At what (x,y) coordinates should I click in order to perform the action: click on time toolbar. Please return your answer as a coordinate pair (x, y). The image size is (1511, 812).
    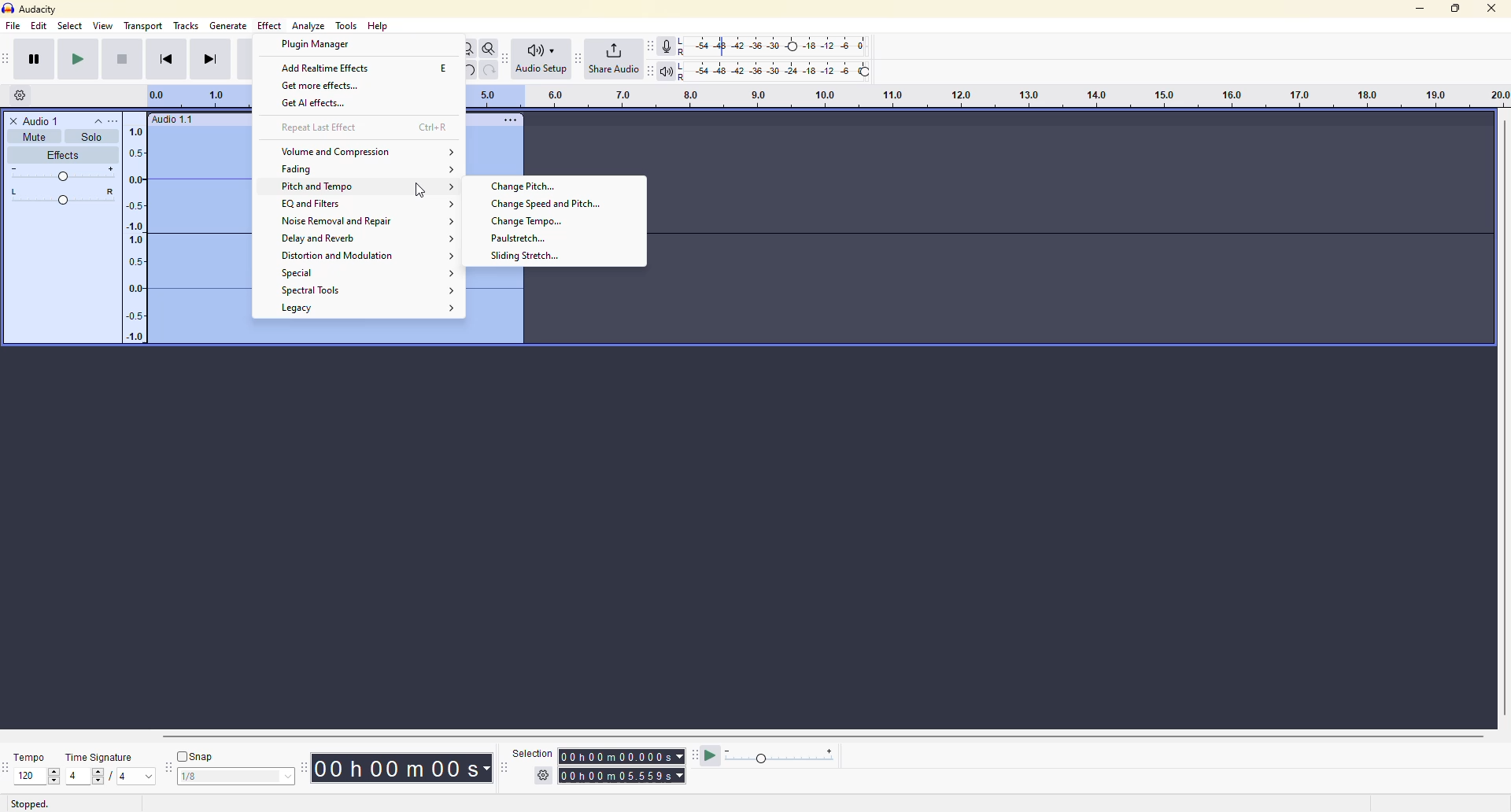
    Looking at the image, I should click on (307, 766).